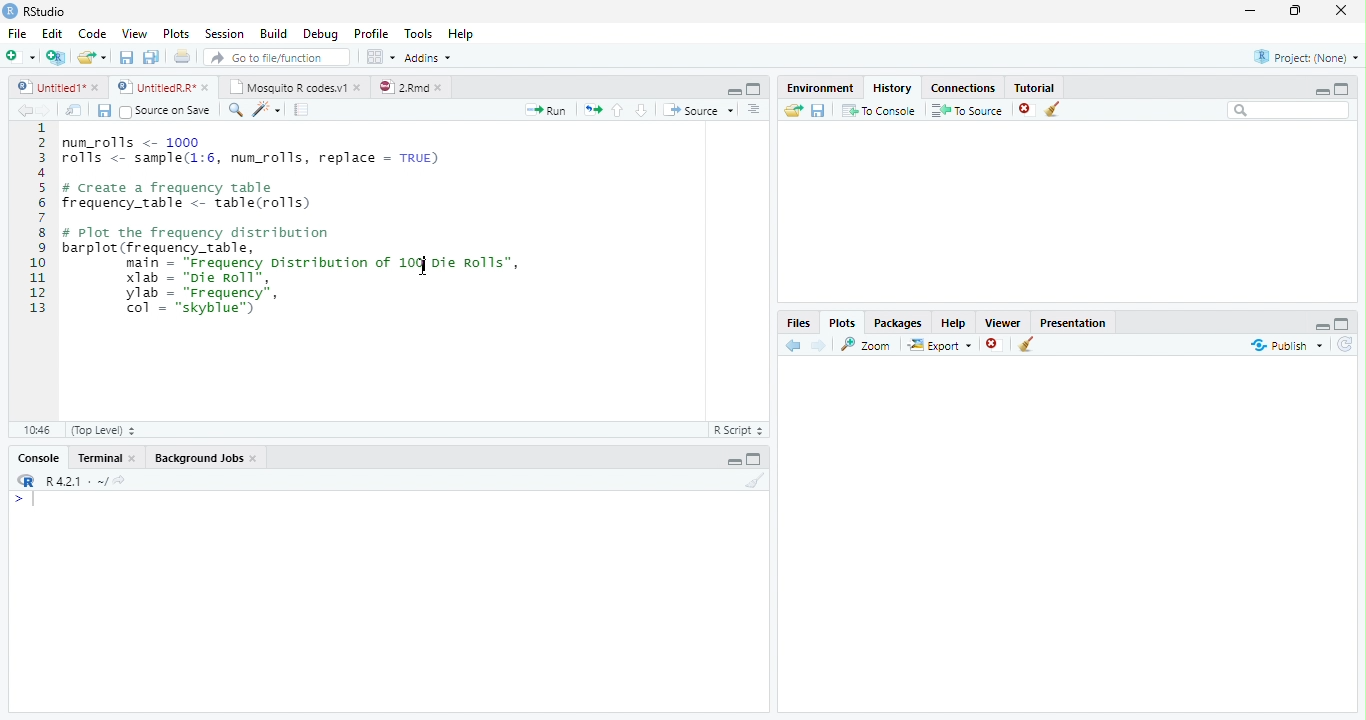  Describe the element at coordinates (1034, 86) in the screenshot. I see `Tutorial` at that location.